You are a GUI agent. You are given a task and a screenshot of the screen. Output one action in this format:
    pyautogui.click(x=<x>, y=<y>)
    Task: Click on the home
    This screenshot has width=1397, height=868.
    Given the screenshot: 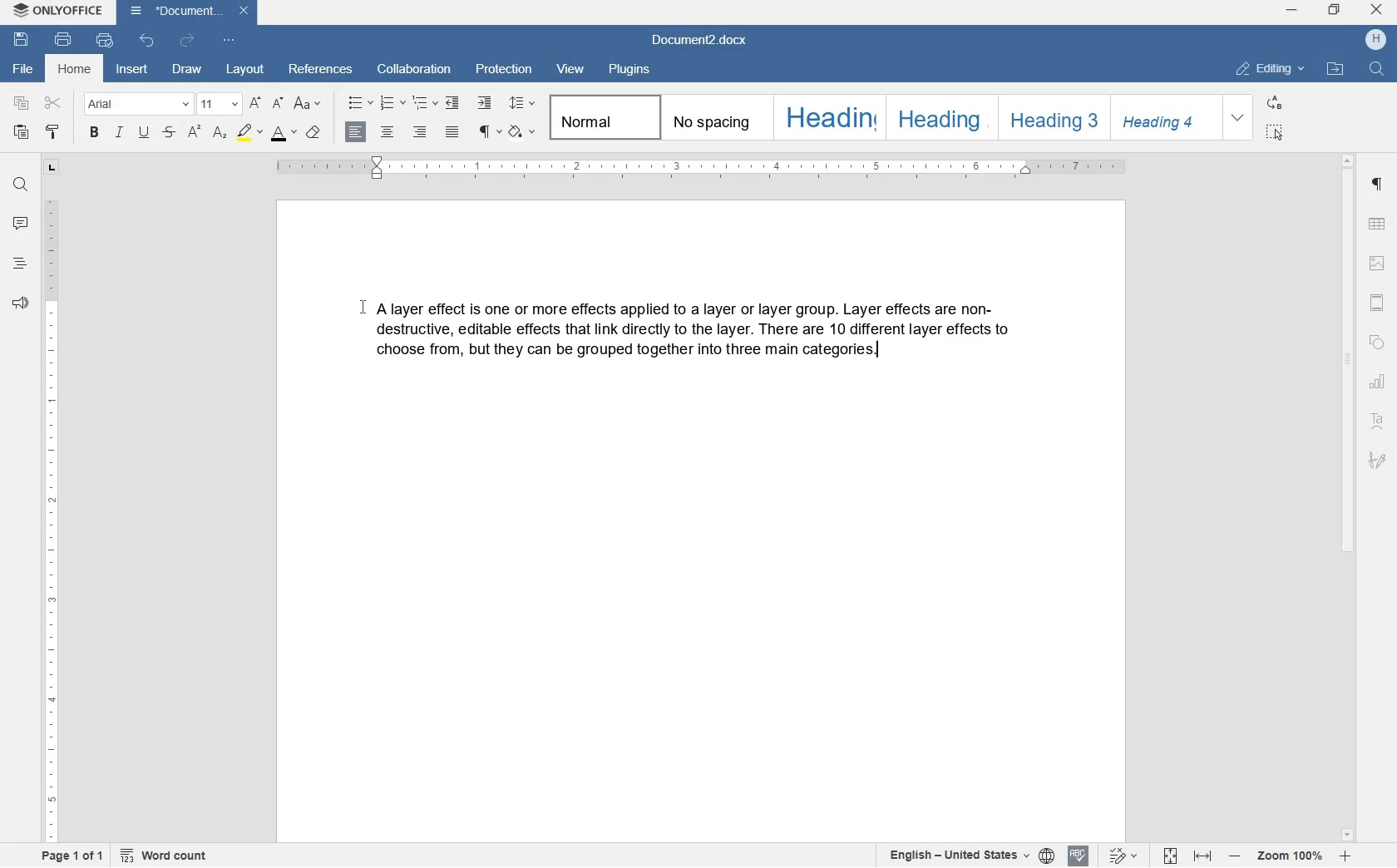 What is the action you would take?
    pyautogui.click(x=76, y=70)
    